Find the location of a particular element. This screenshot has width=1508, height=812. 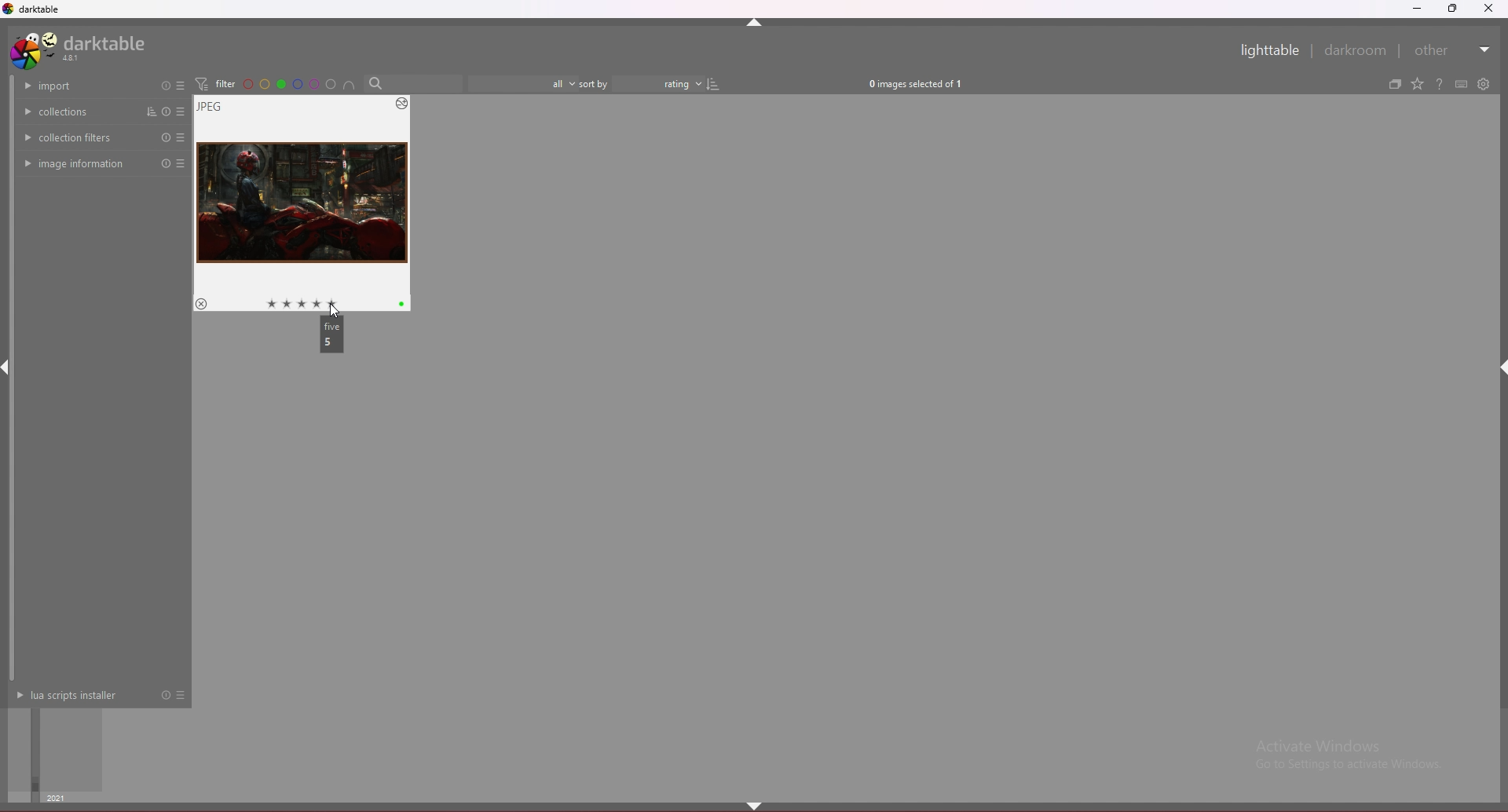

collection filters is located at coordinates (74, 137).